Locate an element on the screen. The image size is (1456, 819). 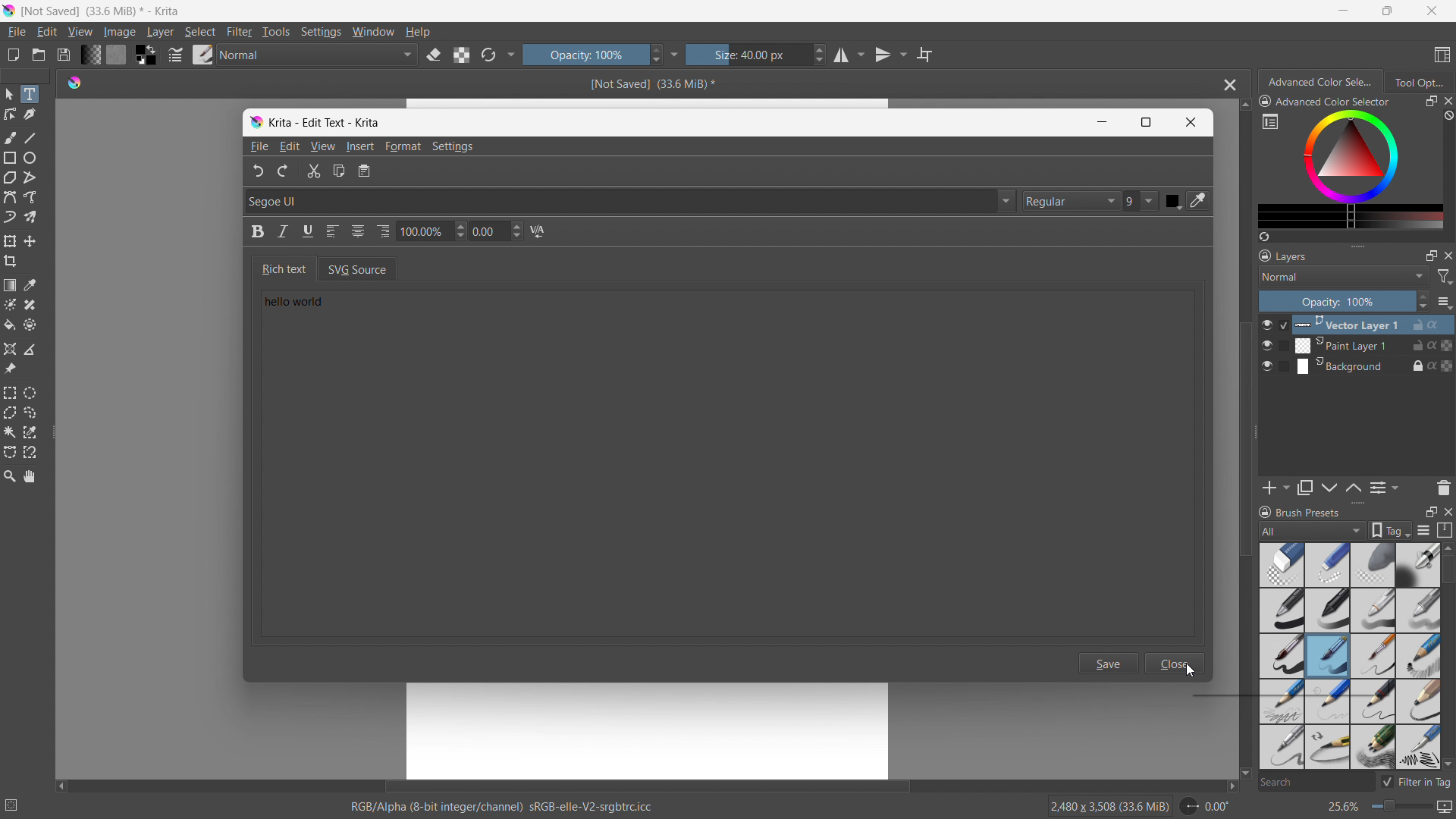
search is located at coordinates (1314, 783).